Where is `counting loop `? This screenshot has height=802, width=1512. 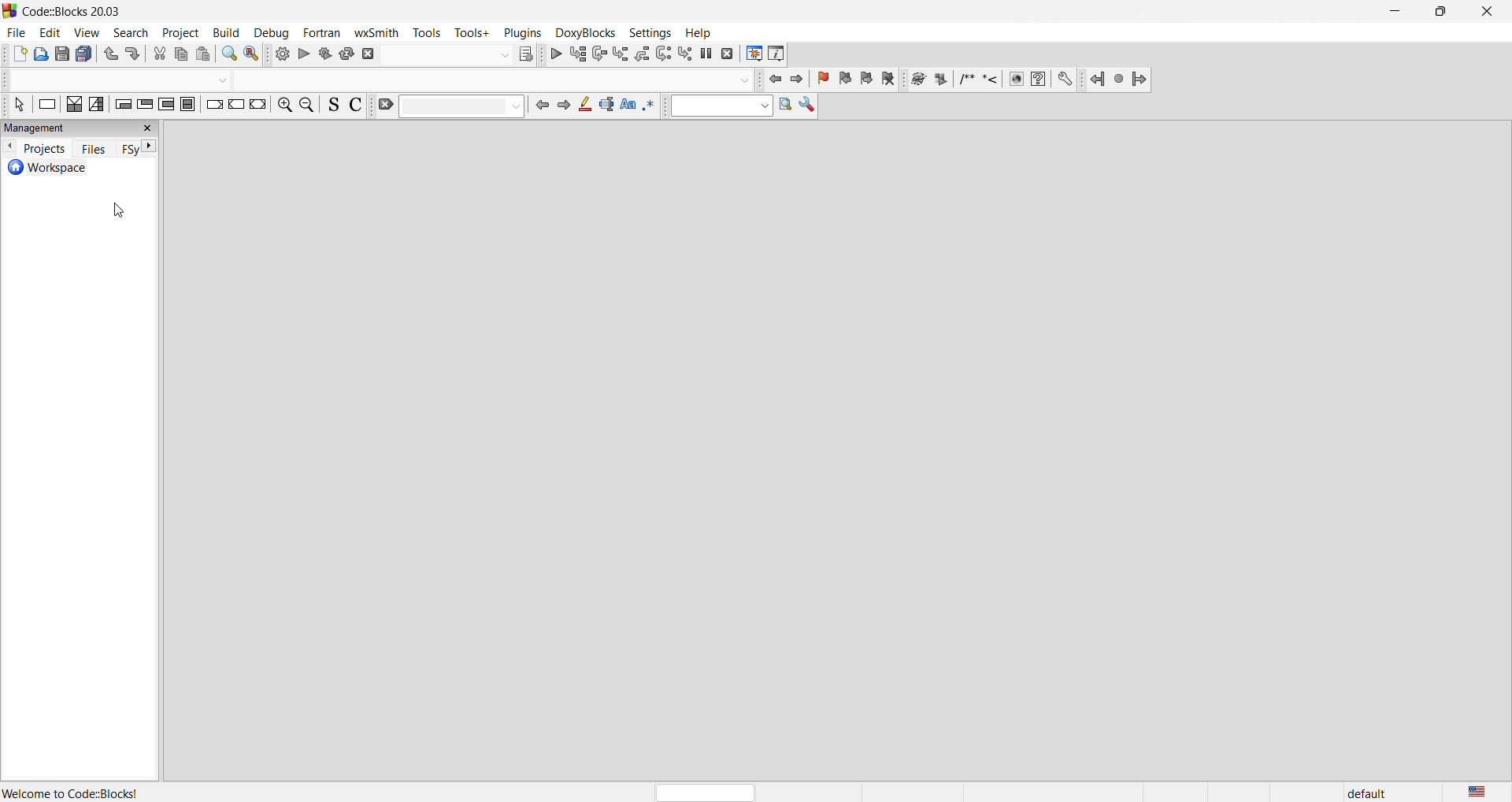 counting loop  is located at coordinates (168, 105).